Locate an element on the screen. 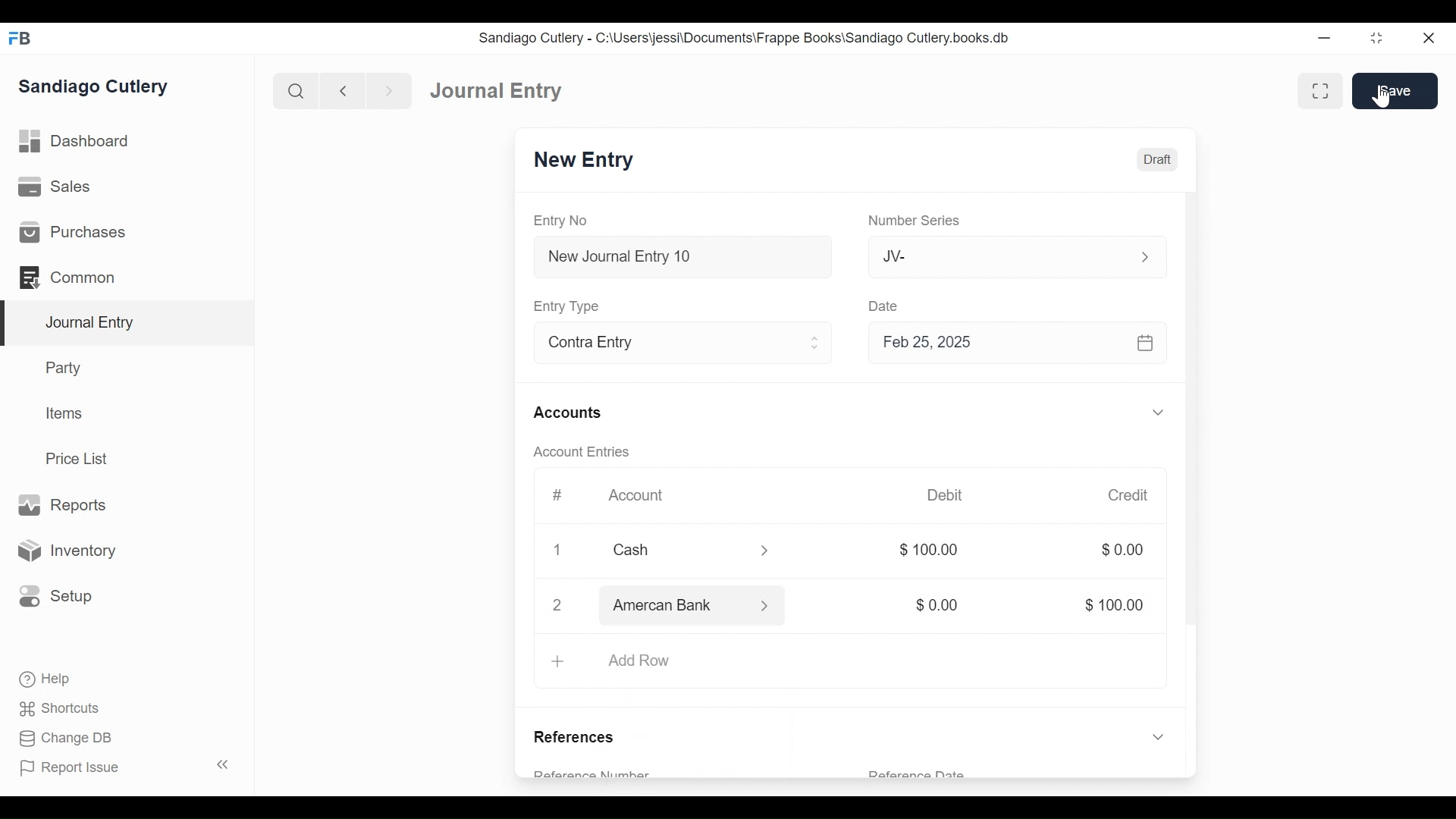 The width and height of the screenshot is (1456, 819). Save is located at coordinates (1395, 91).